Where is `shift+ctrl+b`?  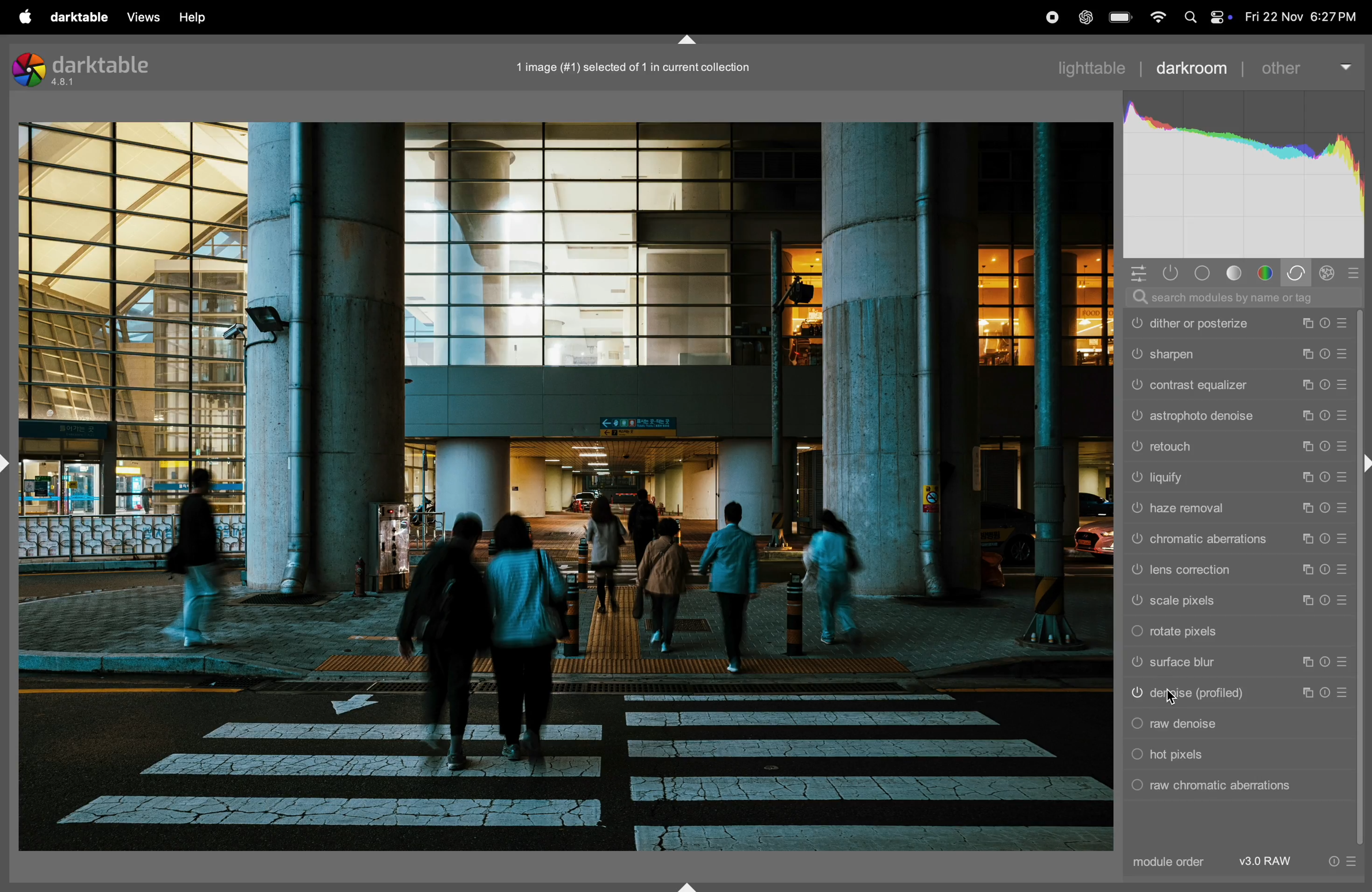 shift+ctrl+b is located at coordinates (688, 886).